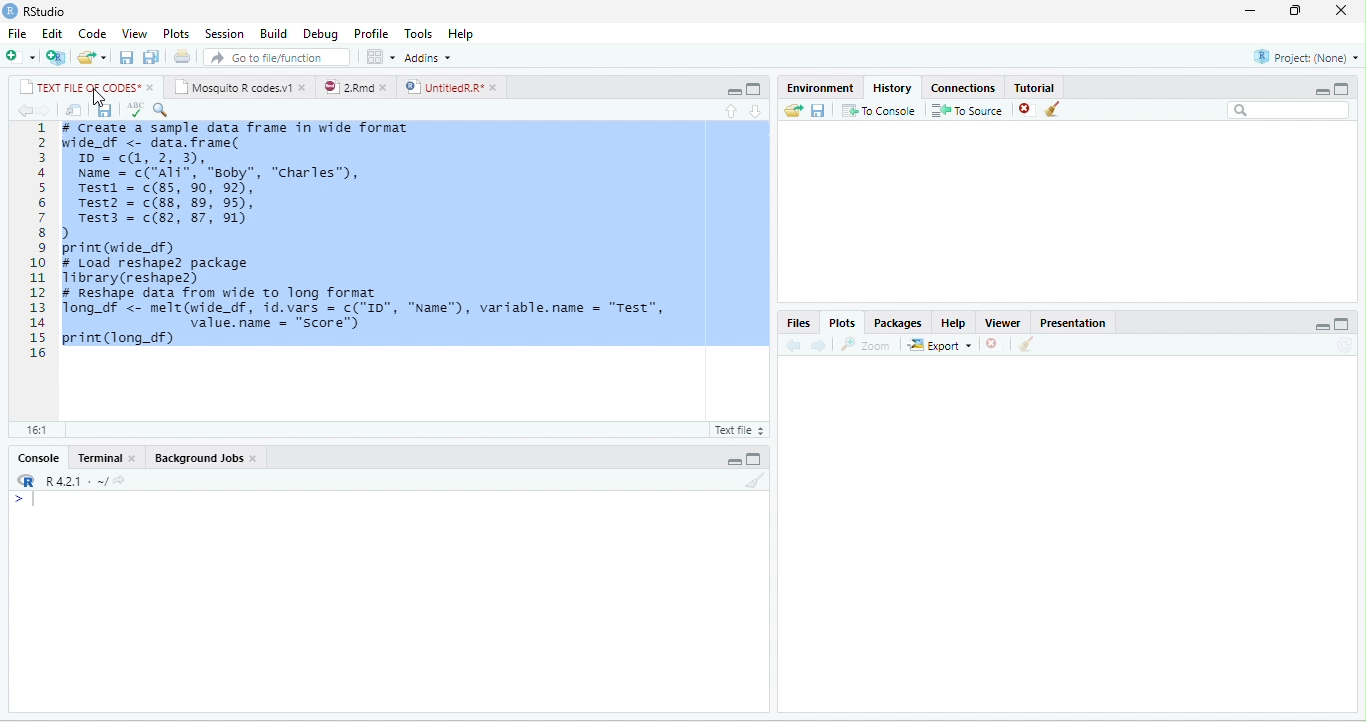 The image size is (1366, 722). What do you see at coordinates (794, 346) in the screenshot?
I see `back` at bounding box center [794, 346].